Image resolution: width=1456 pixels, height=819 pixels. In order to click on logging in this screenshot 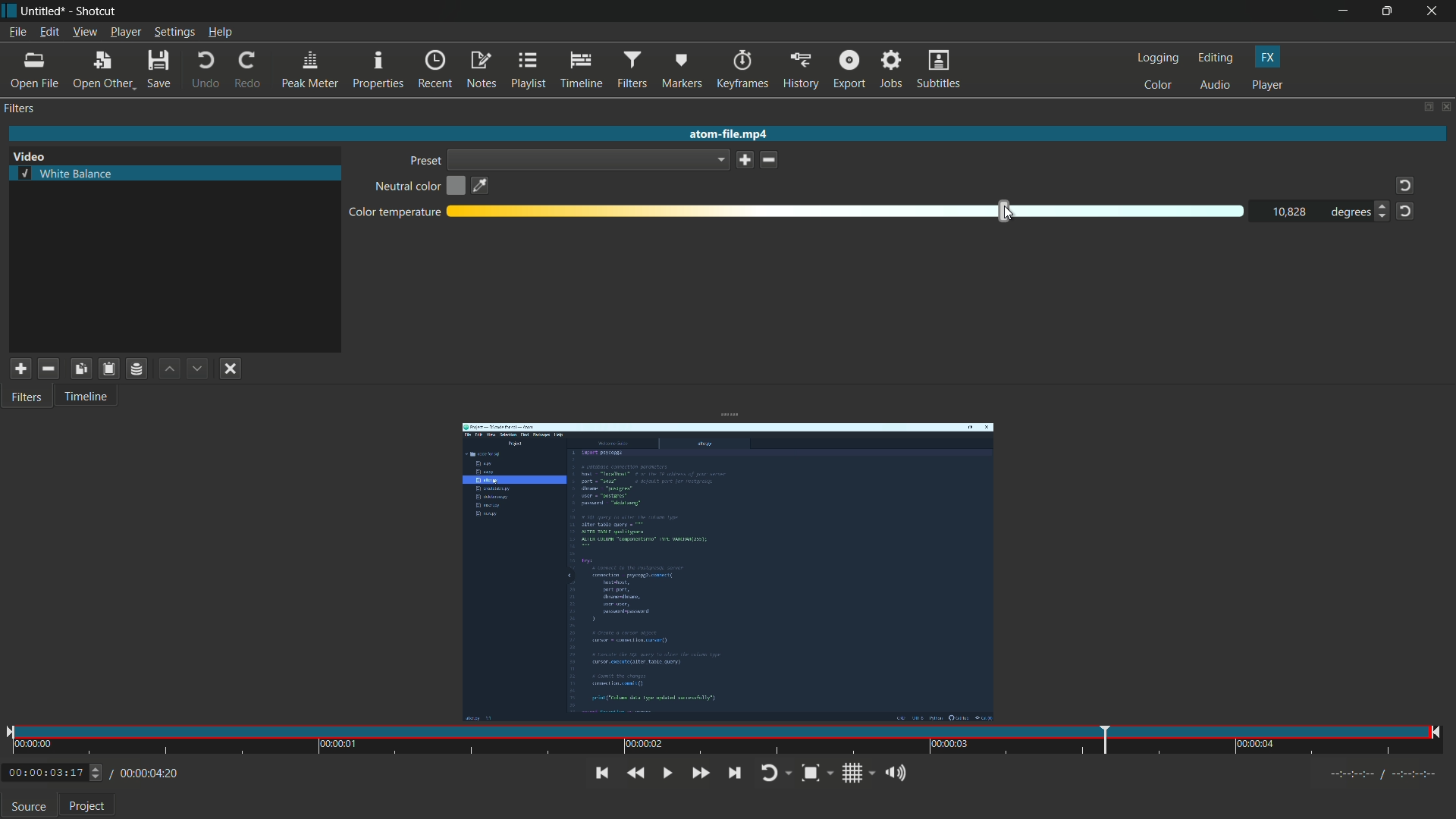, I will do `click(1159, 58)`.